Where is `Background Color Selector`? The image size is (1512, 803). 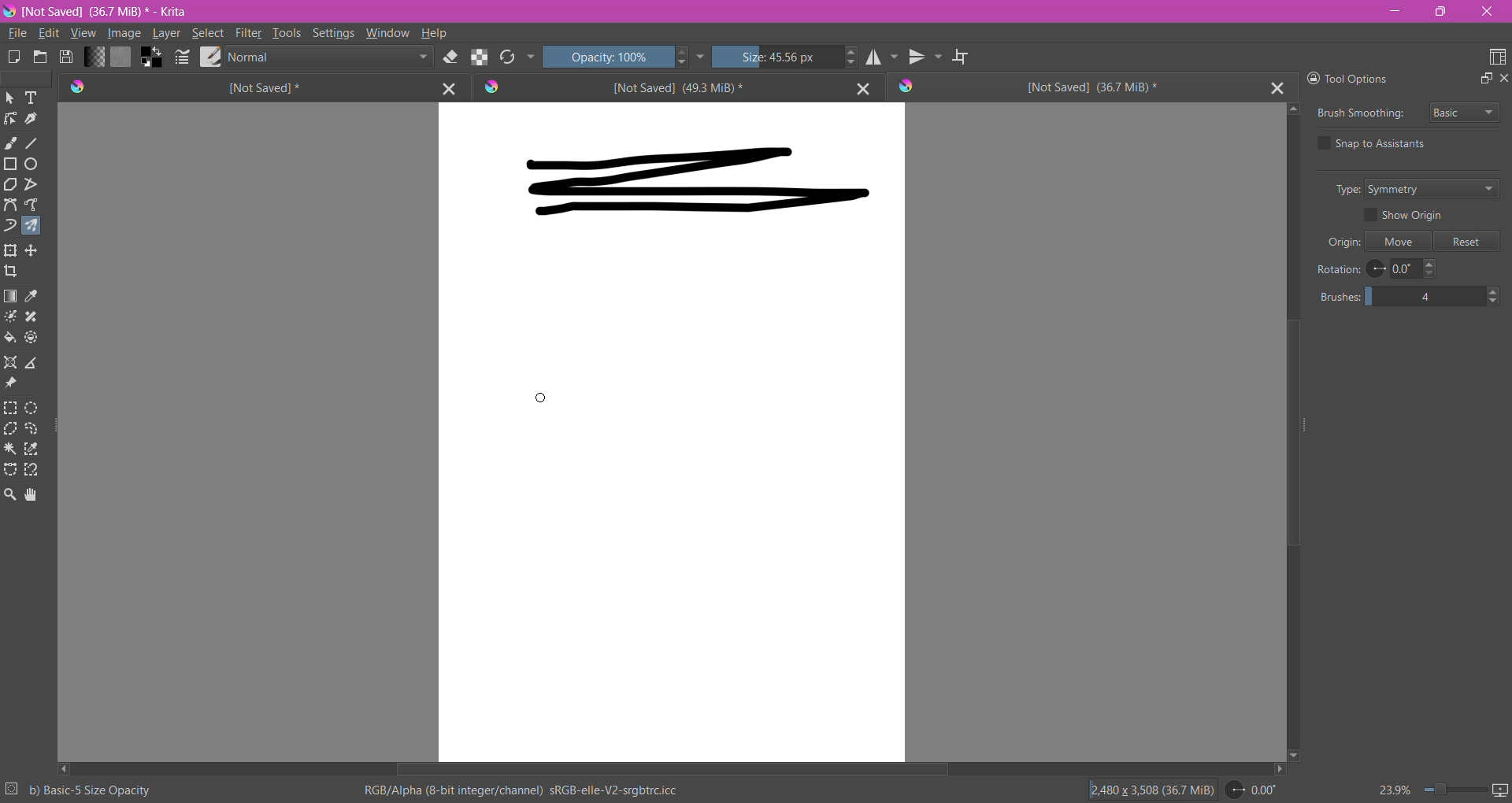
Background Color Selector is located at coordinates (151, 58).